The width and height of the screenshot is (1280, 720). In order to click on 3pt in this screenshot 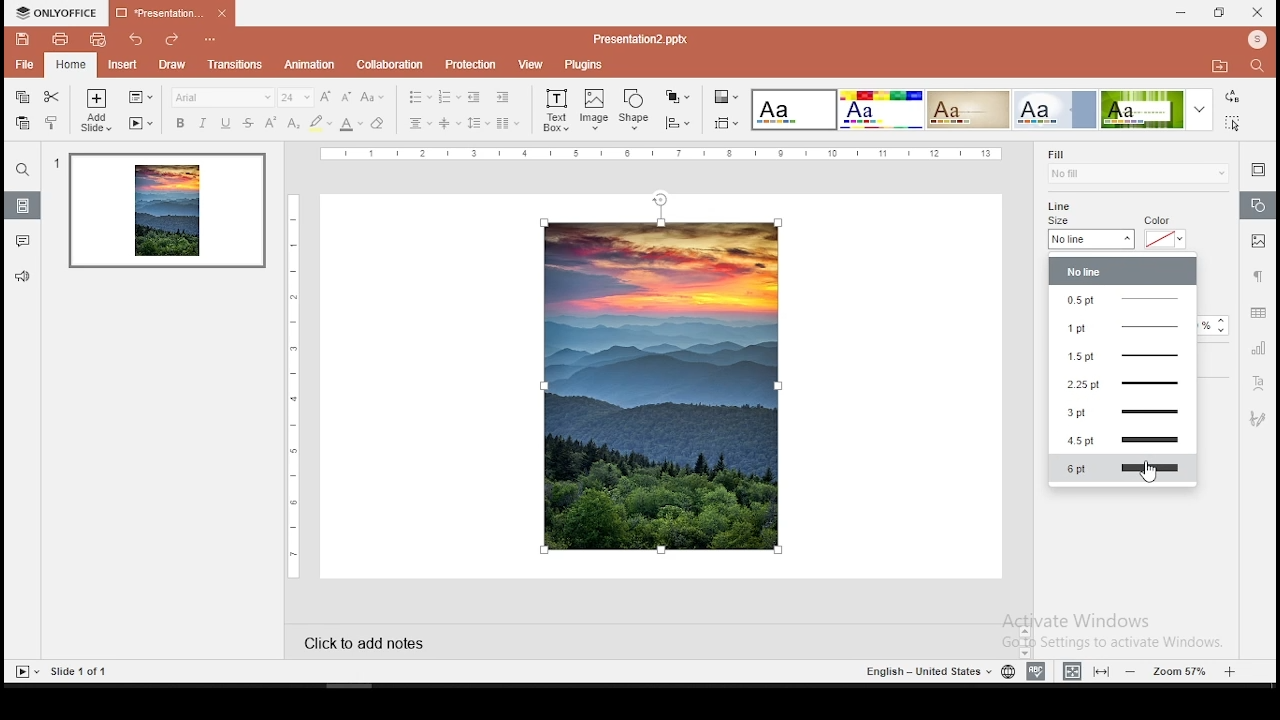, I will do `click(1124, 414)`.